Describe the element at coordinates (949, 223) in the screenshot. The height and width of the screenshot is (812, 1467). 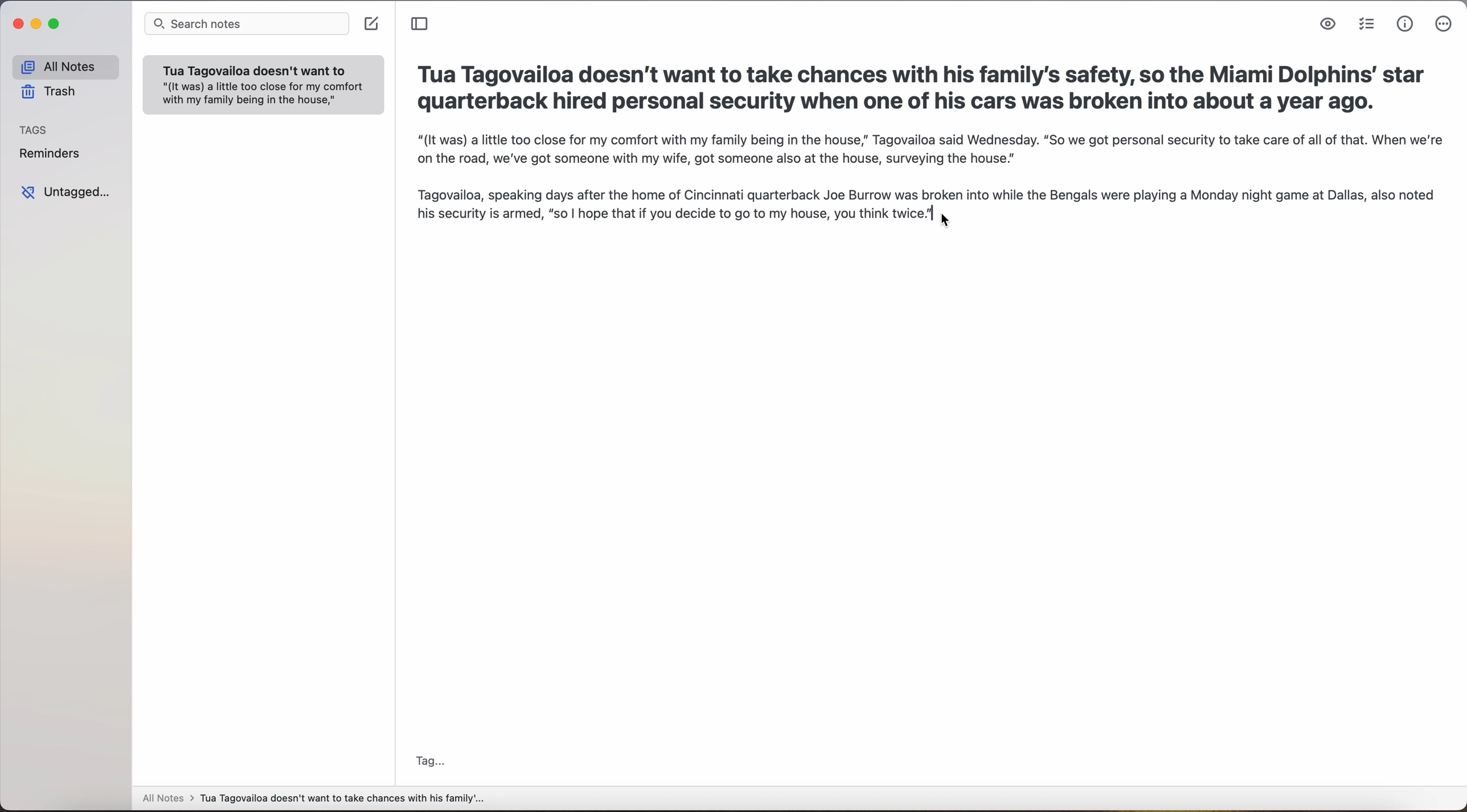
I see `cursor` at that location.